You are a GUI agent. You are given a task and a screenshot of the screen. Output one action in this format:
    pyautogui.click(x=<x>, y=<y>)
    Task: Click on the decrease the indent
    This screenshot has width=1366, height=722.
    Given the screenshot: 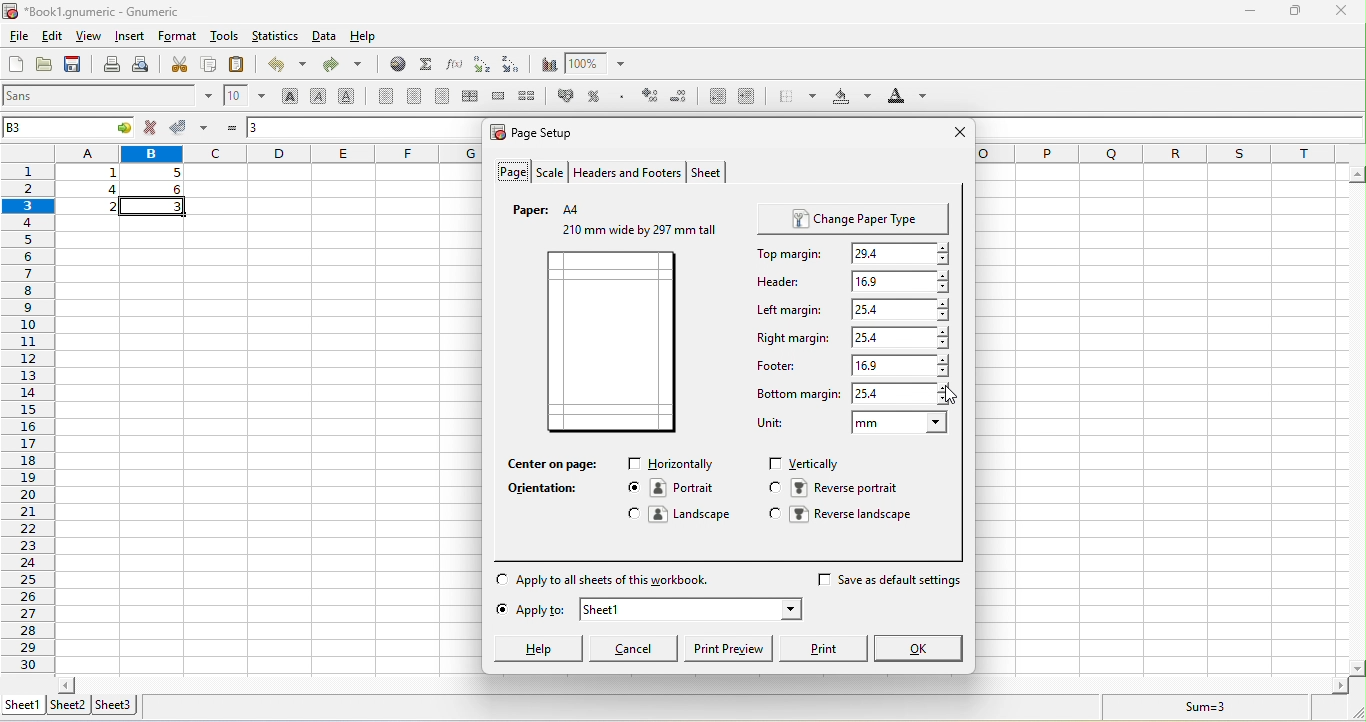 What is the action you would take?
    pyautogui.click(x=713, y=97)
    